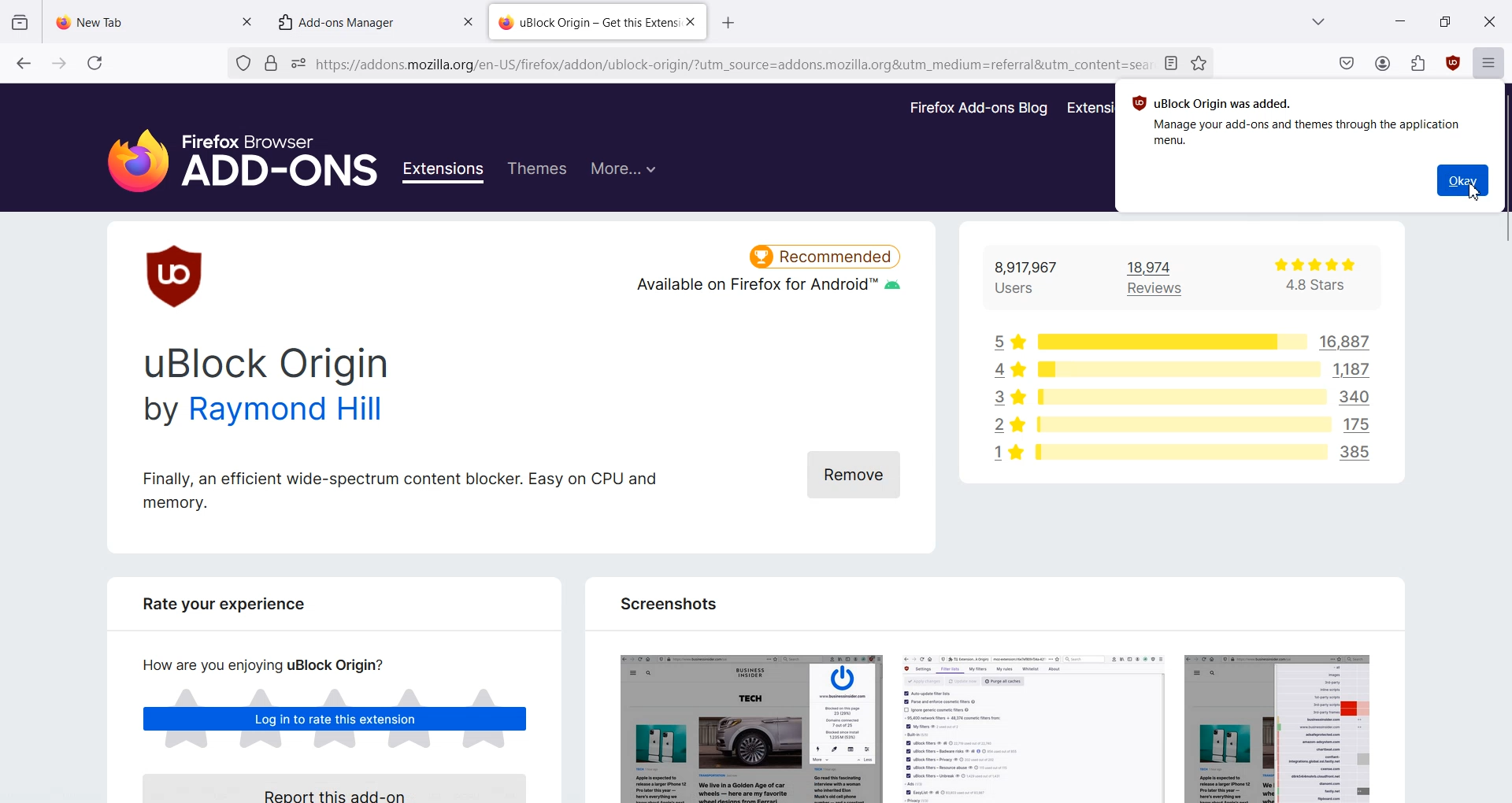  I want to click on Close tab, so click(246, 20).